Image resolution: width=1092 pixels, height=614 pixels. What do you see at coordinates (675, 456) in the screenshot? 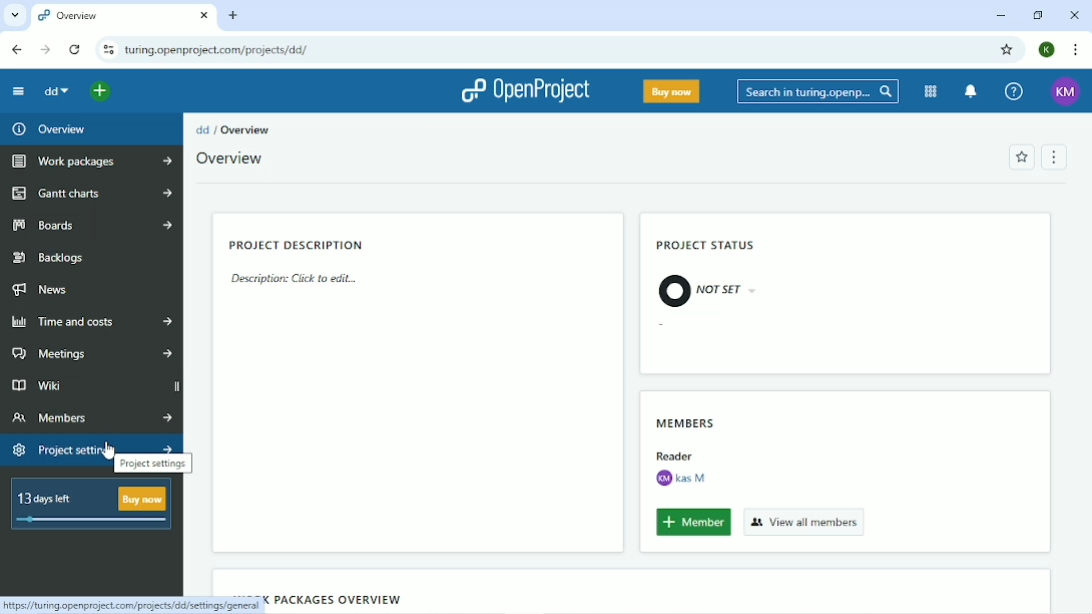
I see `Reader` at bounding box center [675, 456].